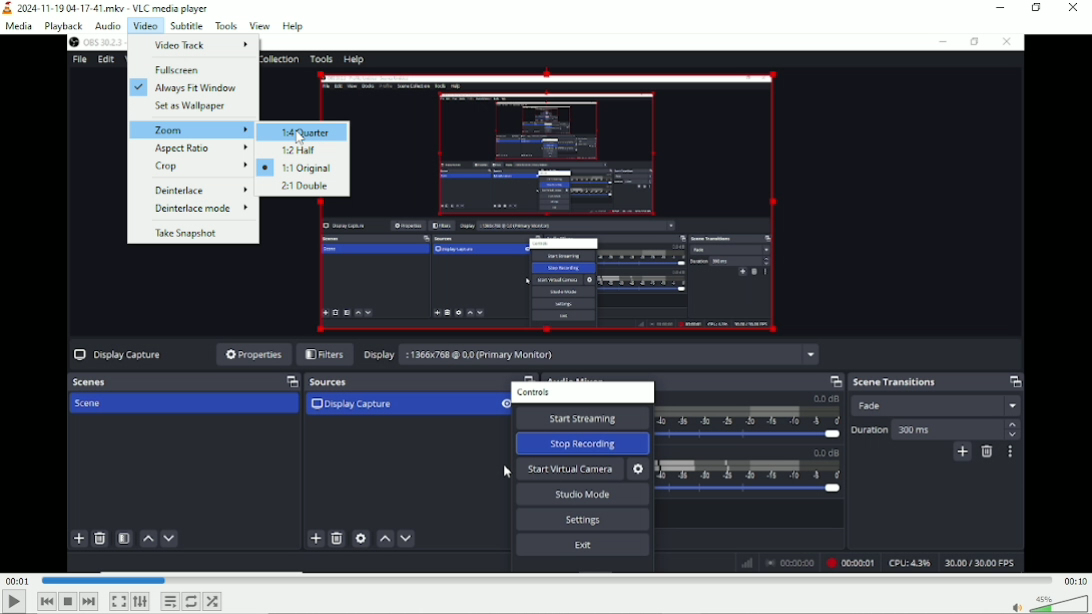  I want to click on set as wallpaper, so click(190, 108).